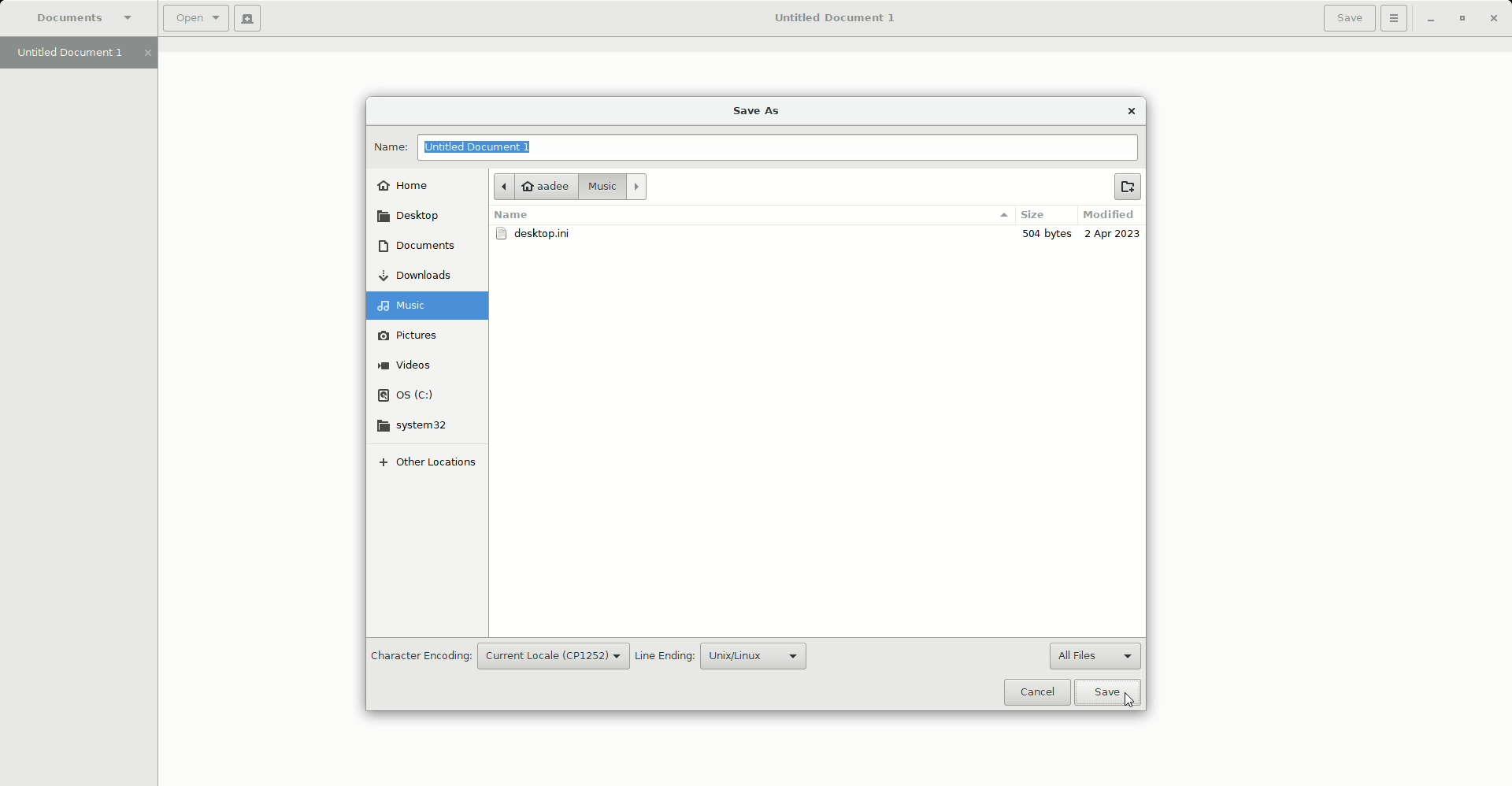 The height and width of the screenshot is (786, 1512). I want to click on All files, so click(1092, 654).